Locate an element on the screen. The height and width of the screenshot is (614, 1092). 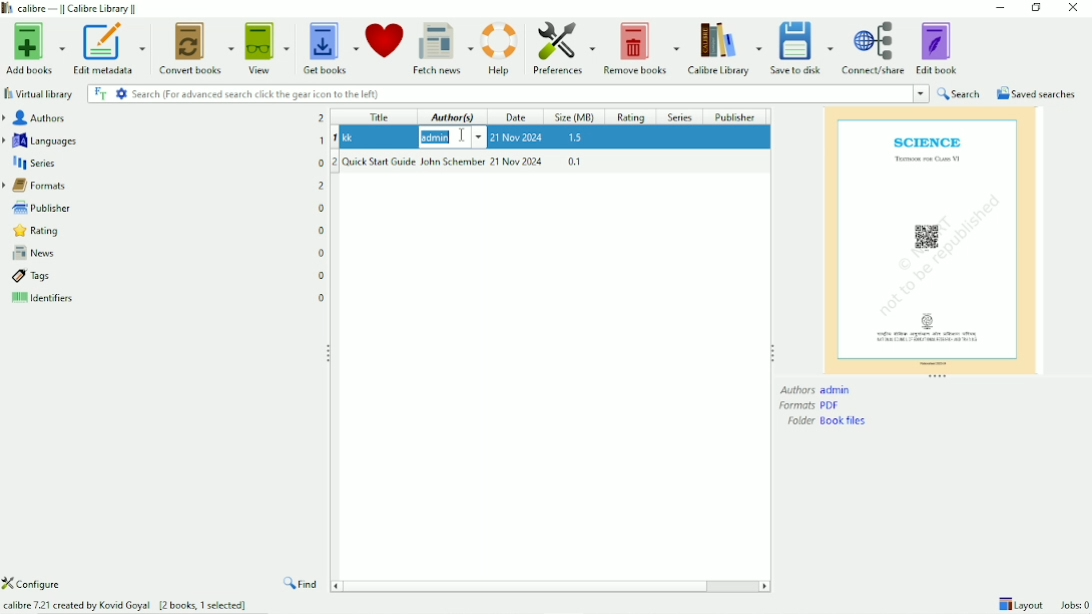
Donate is located at coordinates (384, 38).